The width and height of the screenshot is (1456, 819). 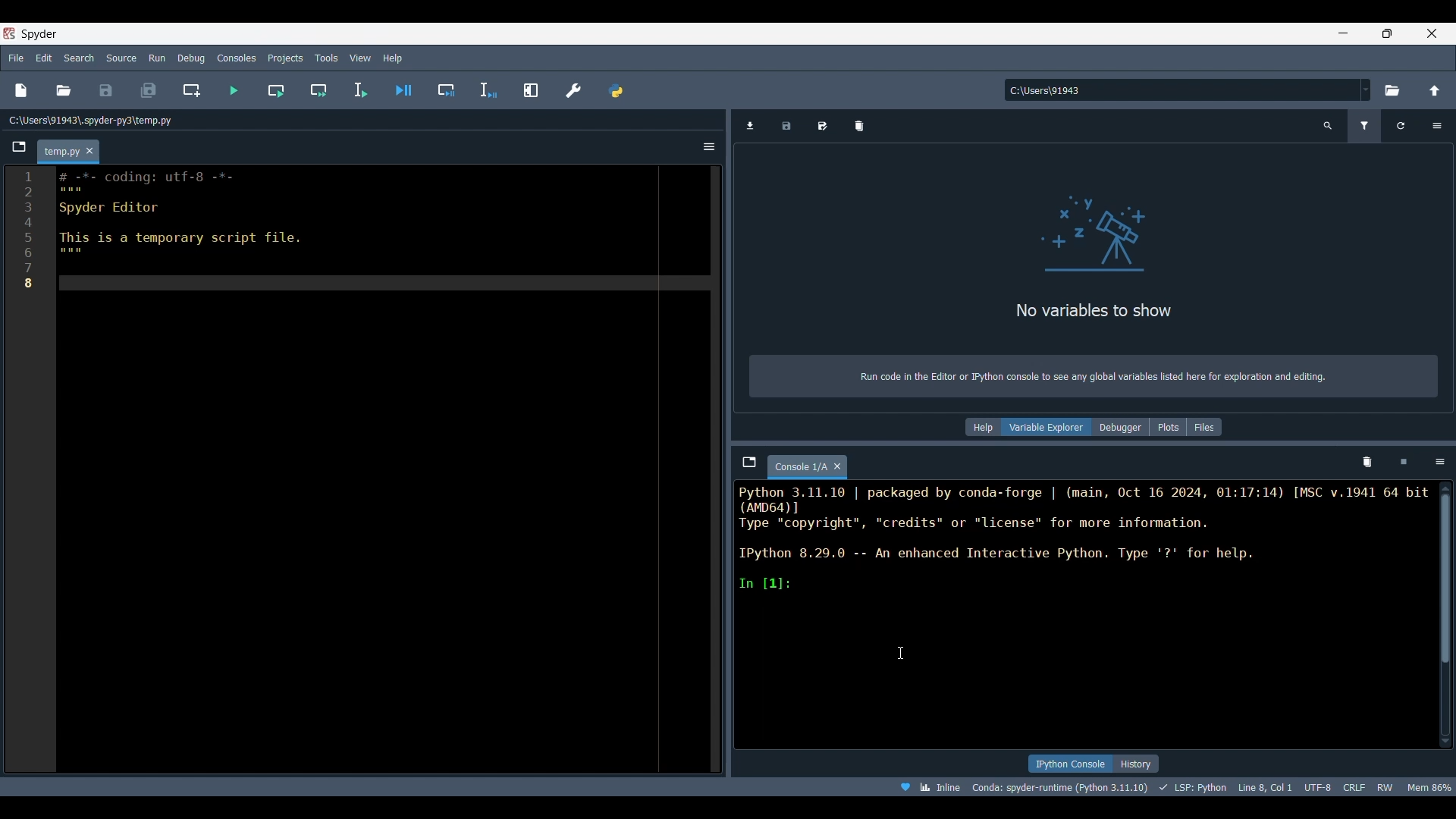 I want to click on programming language, so click(x=1195, y=786).